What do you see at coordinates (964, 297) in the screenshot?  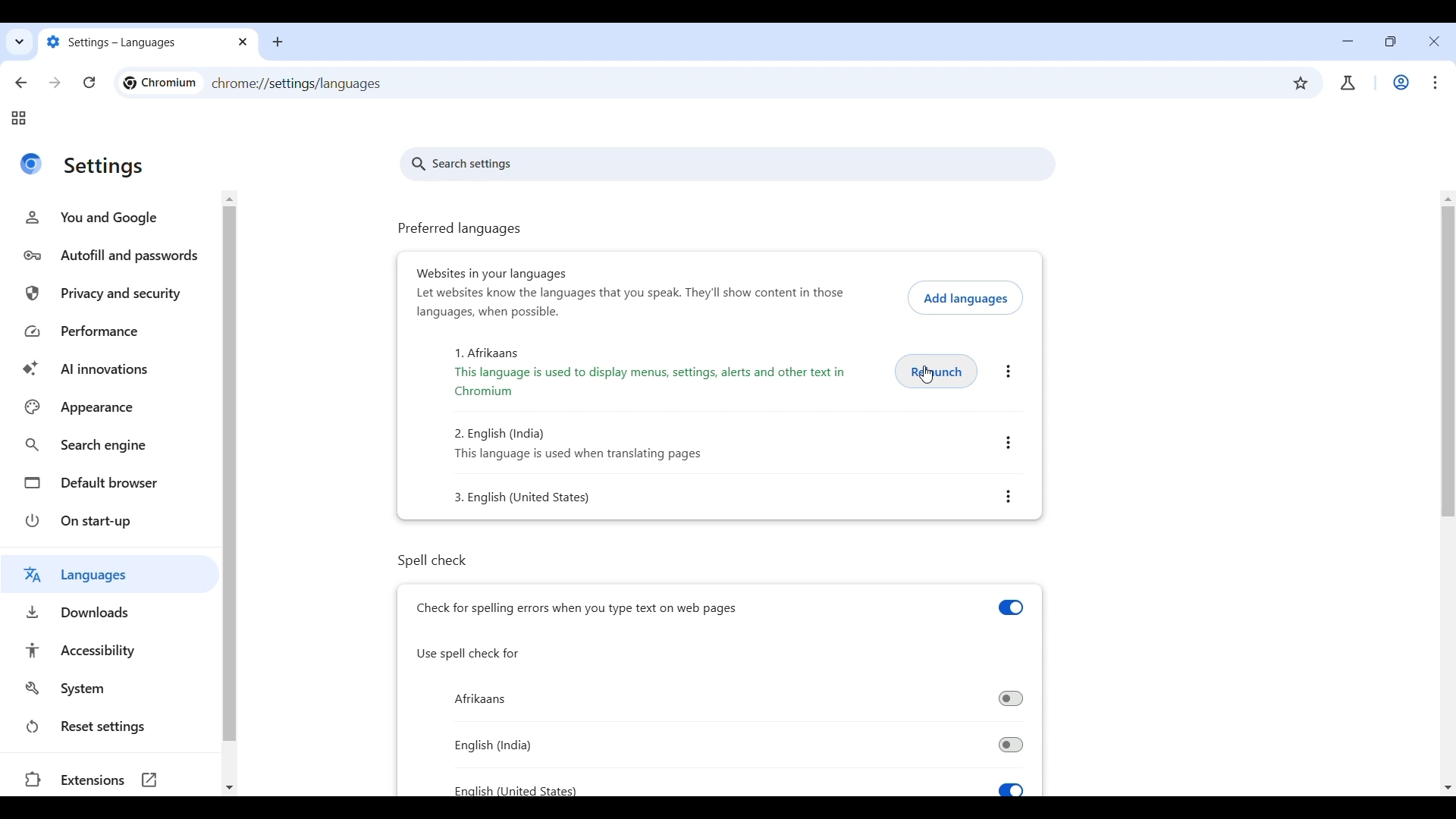 I see `Add languages` at bounding box center [964, 297].